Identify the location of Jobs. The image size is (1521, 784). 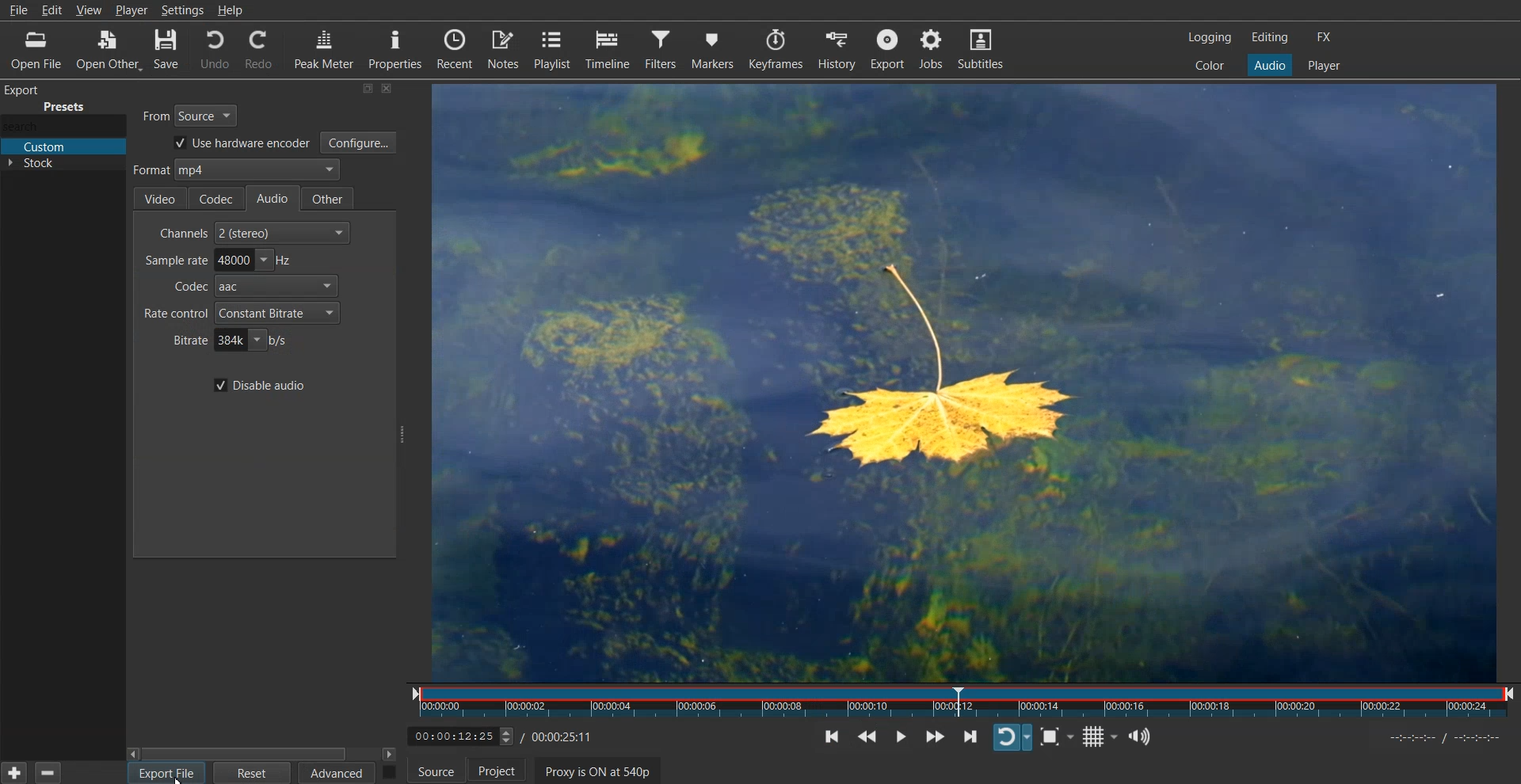
(932, 49).